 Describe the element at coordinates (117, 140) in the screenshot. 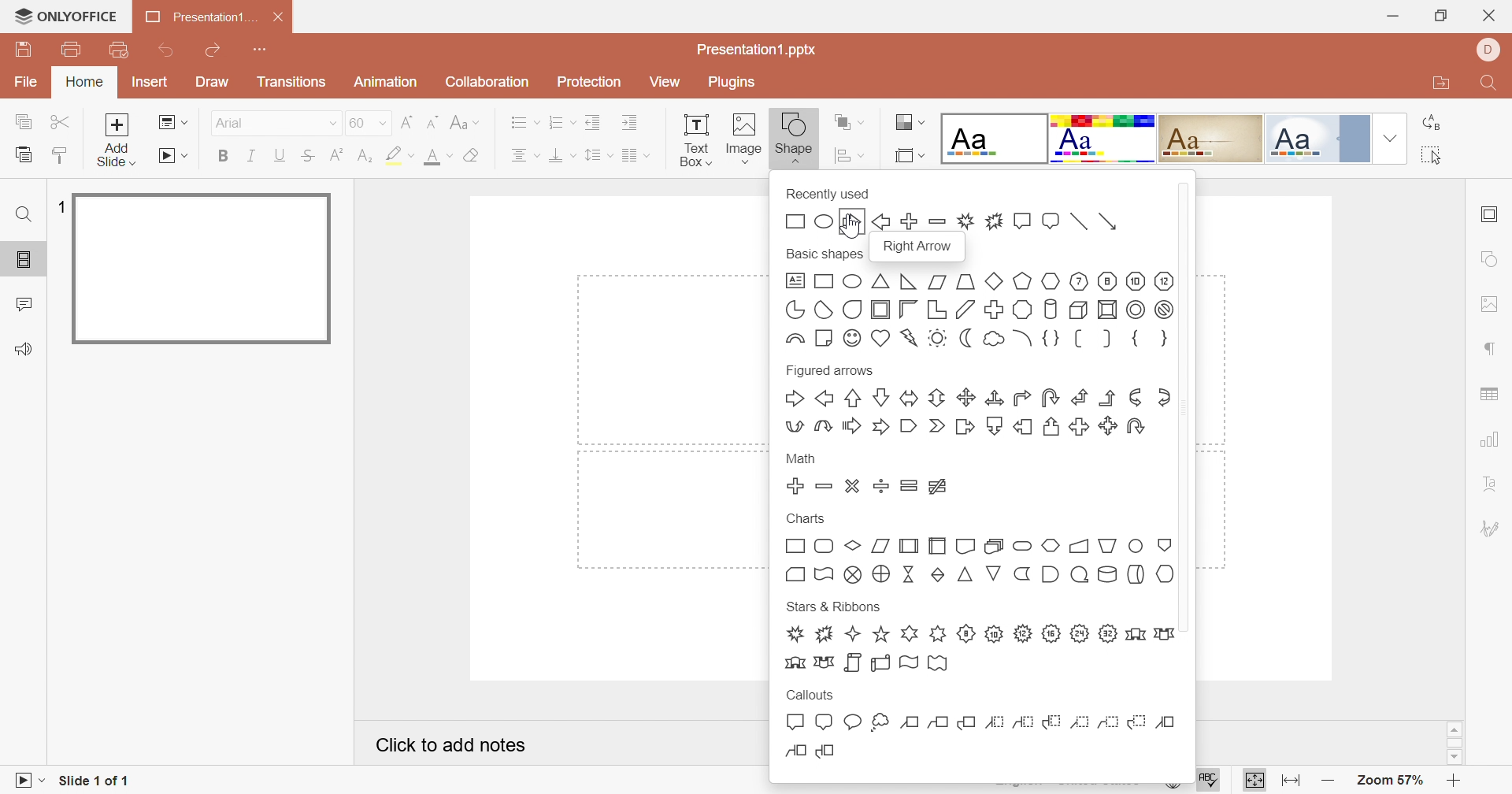

I see `Add slide` at that location.